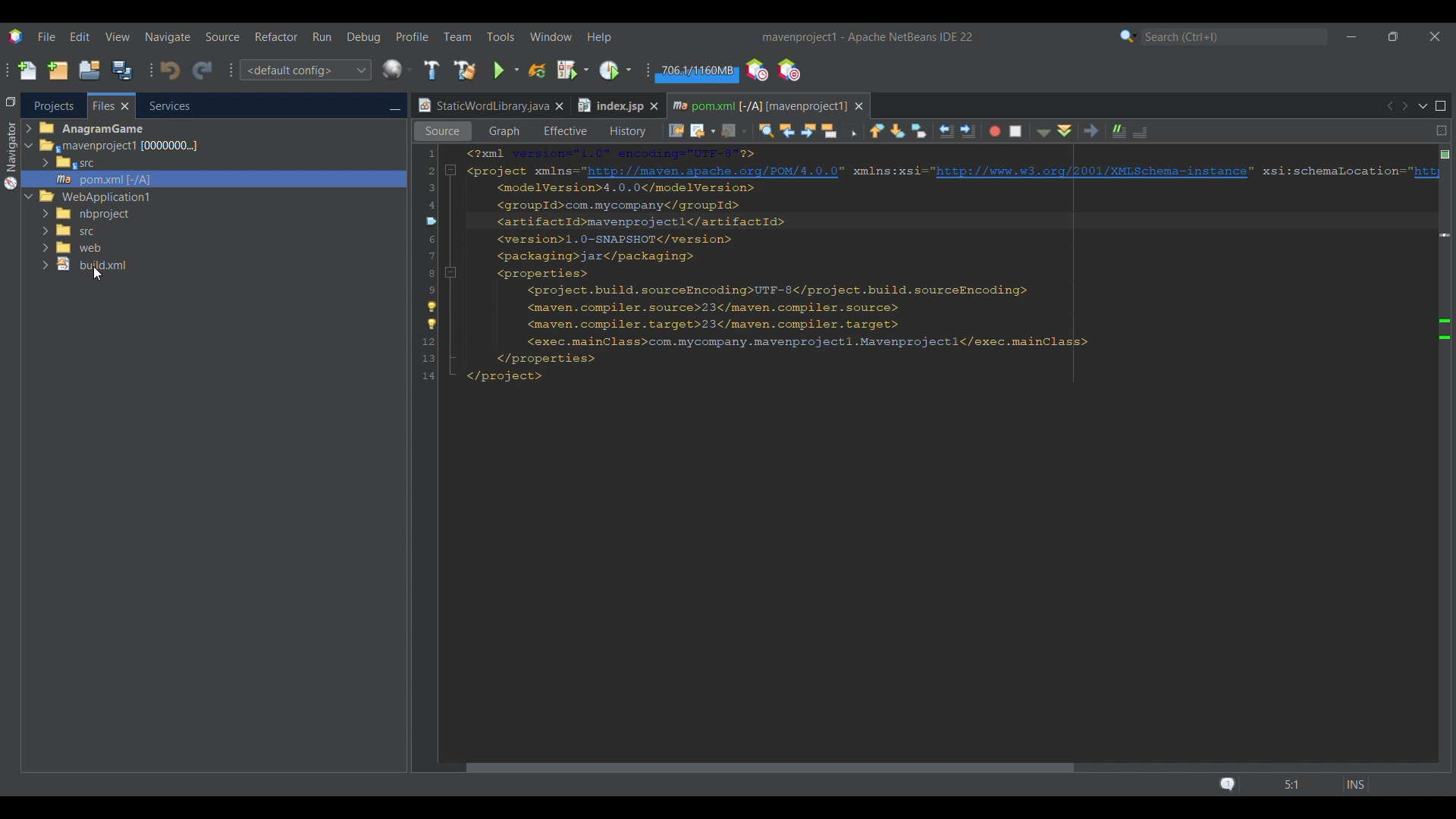  What do you see at coordinates (730, 130) in the screenshot?
I see `Forward options` at bounding box center [730, 130].